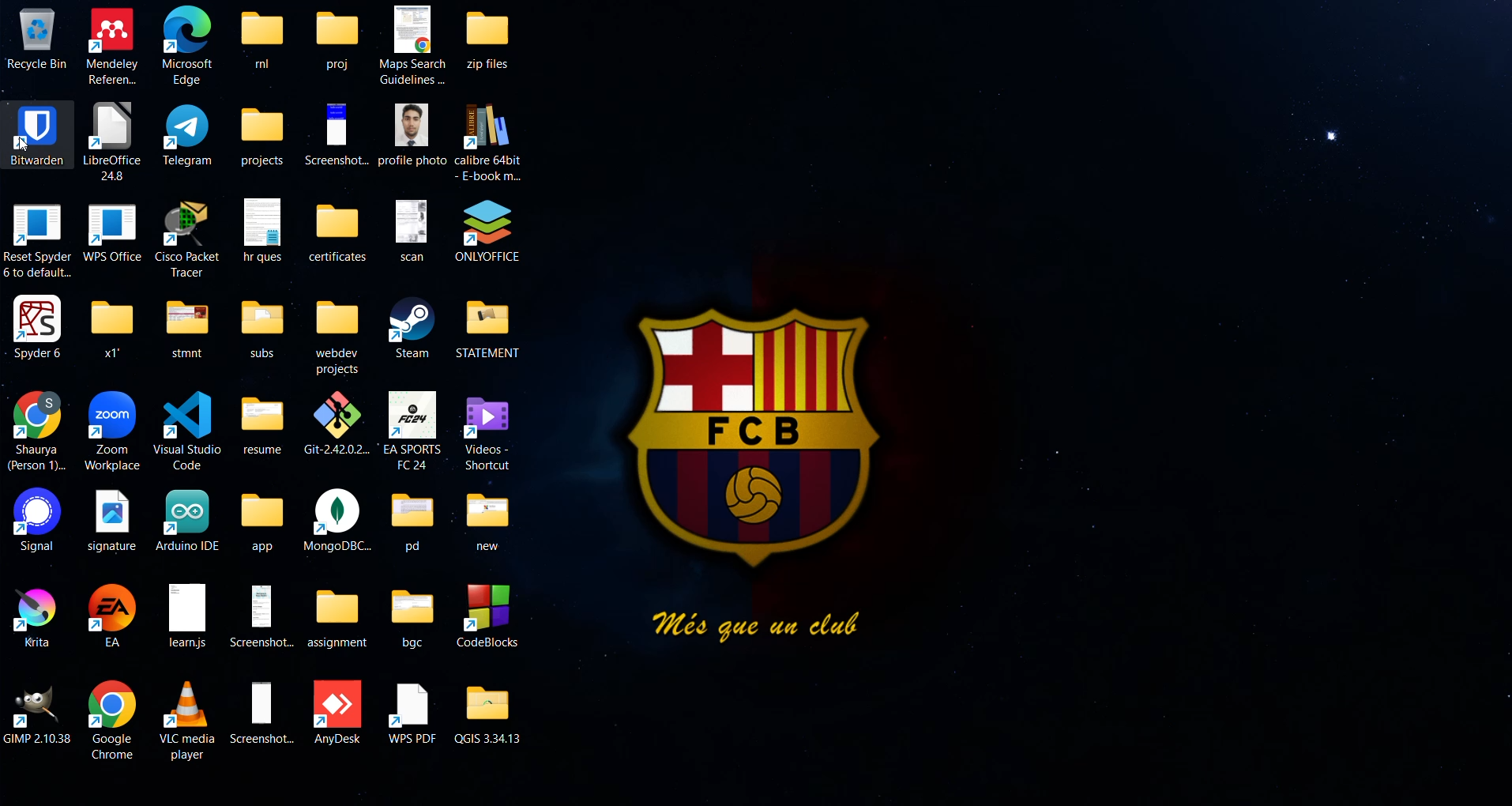  Describe the element at coordinates (261, 38) in the screenshot. I see `ml` at that location.